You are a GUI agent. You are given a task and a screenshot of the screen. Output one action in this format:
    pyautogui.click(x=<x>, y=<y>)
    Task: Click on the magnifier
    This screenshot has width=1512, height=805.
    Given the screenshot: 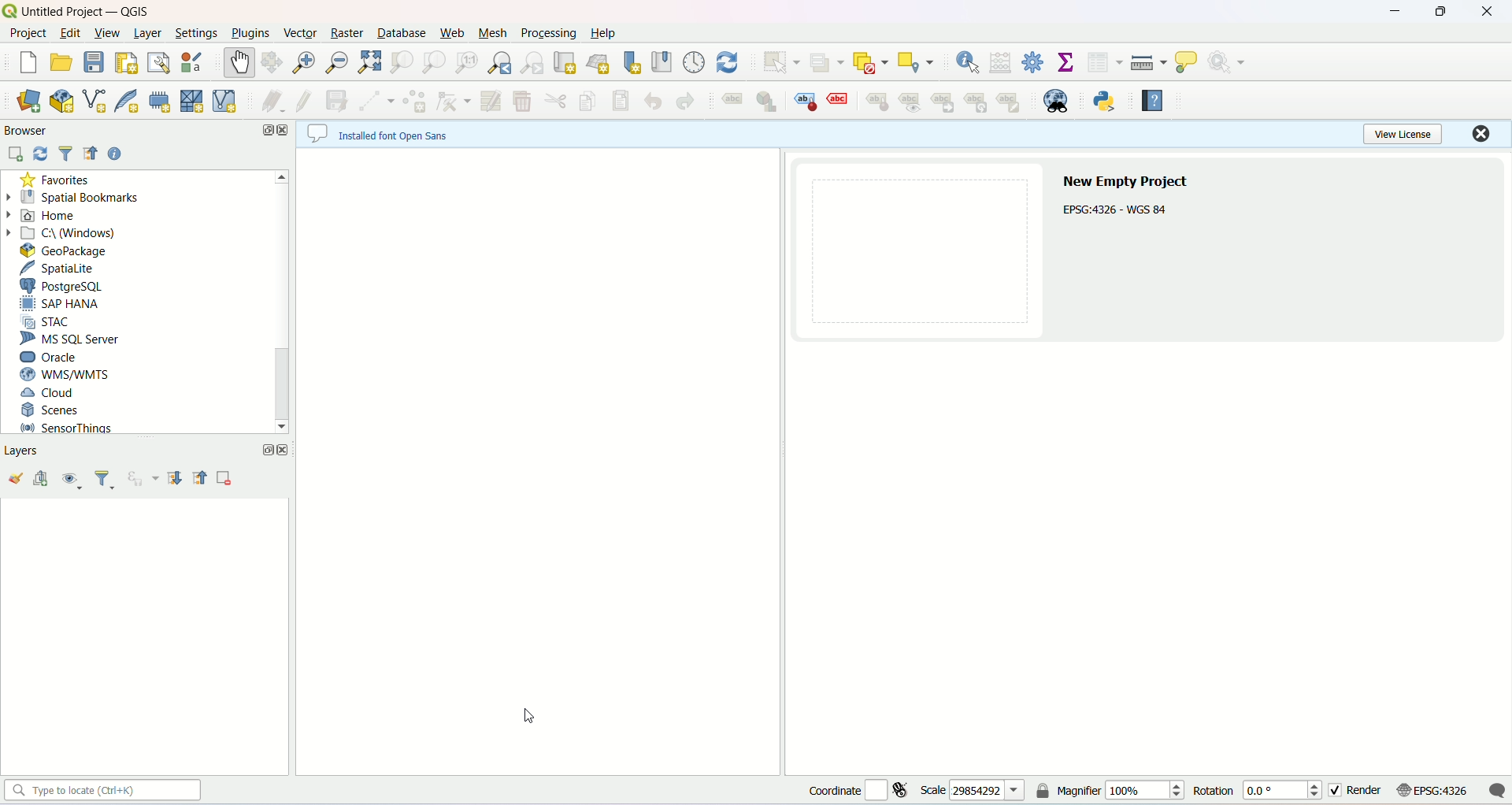 What is the action you would take?
    pyautogui.click(x=1080, y=792)
    